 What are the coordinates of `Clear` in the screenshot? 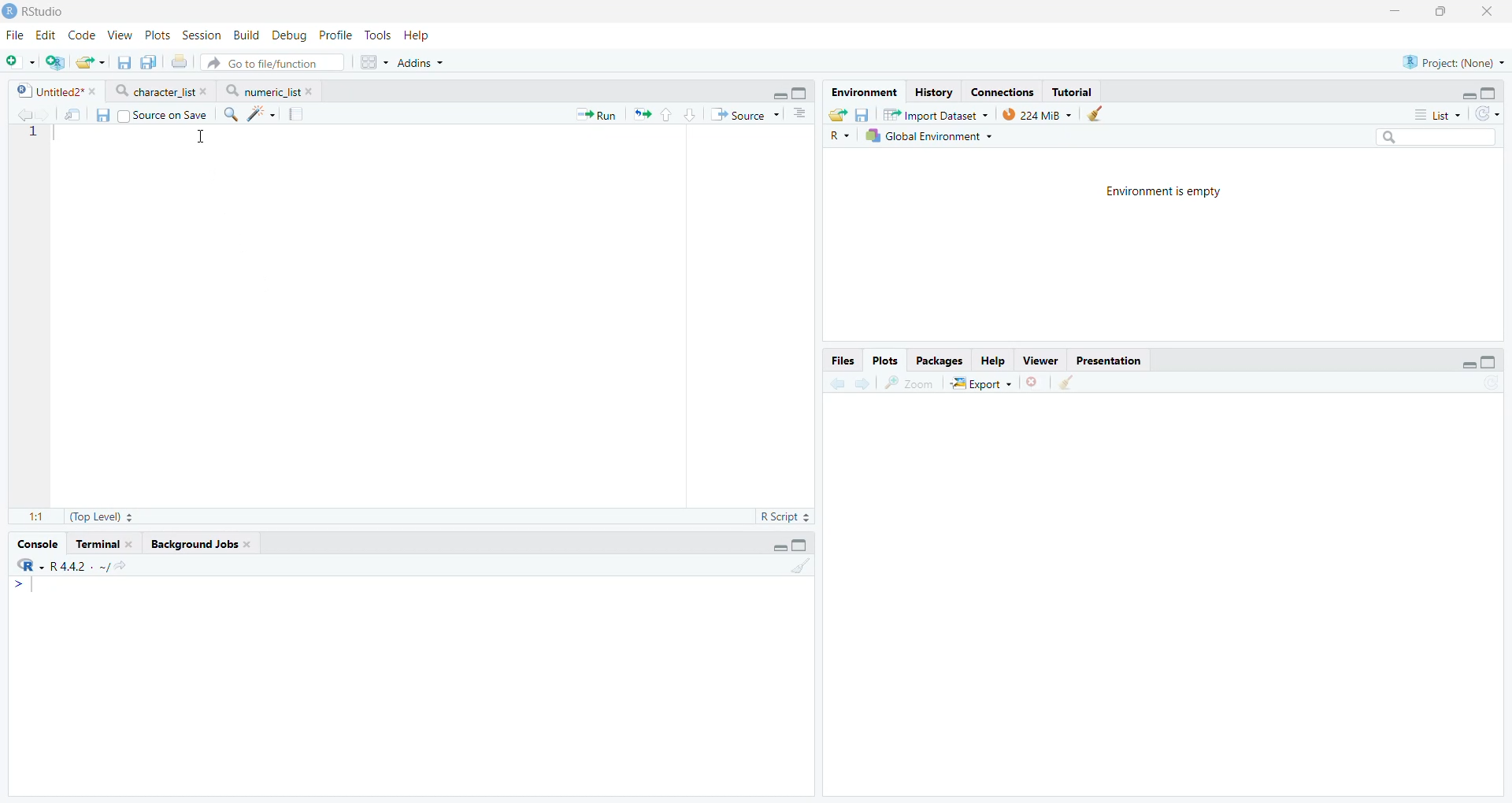 It's located at (1071, 383).